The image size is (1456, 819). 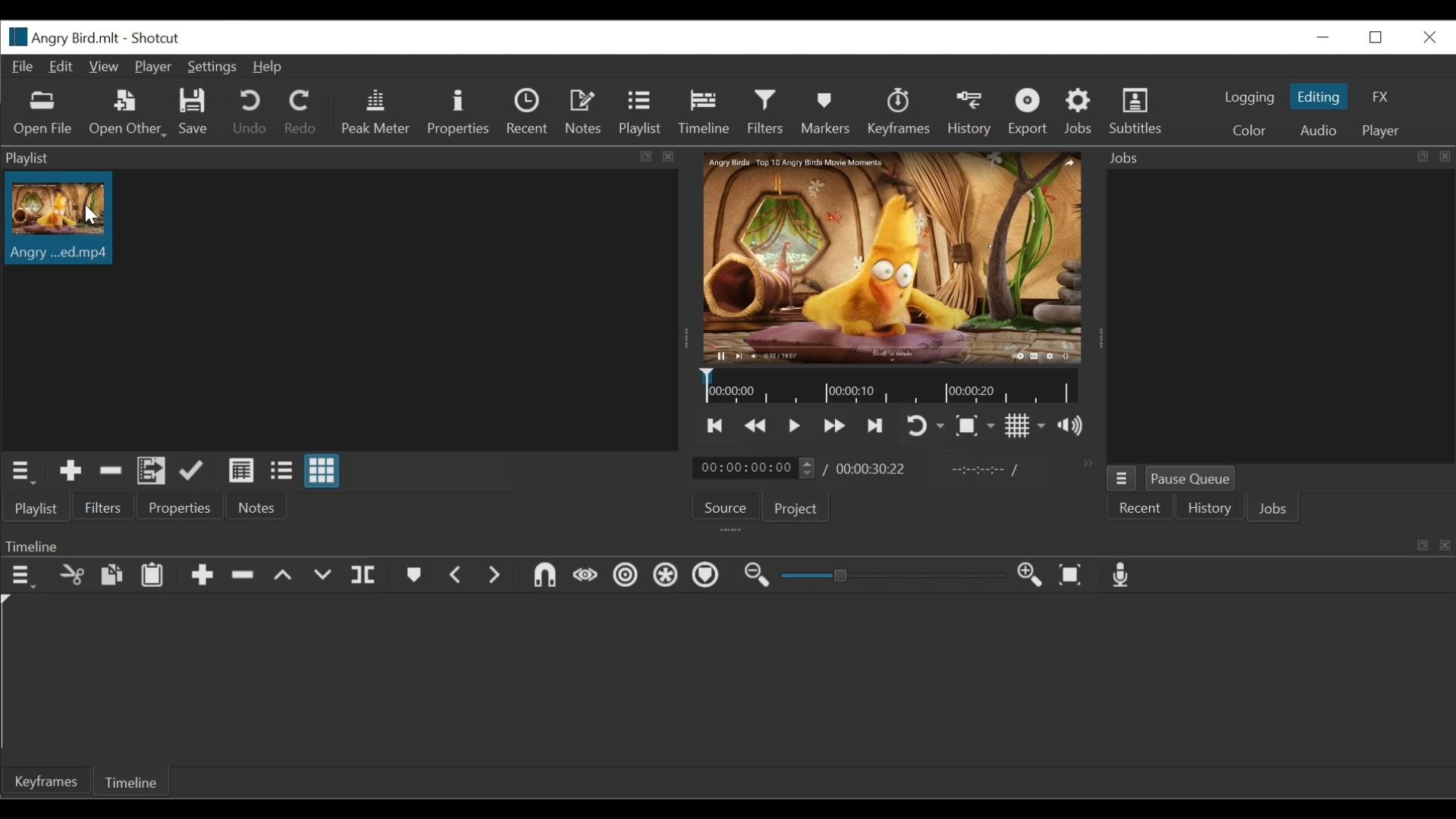 I want to click on File, so click(x=22, y=67).